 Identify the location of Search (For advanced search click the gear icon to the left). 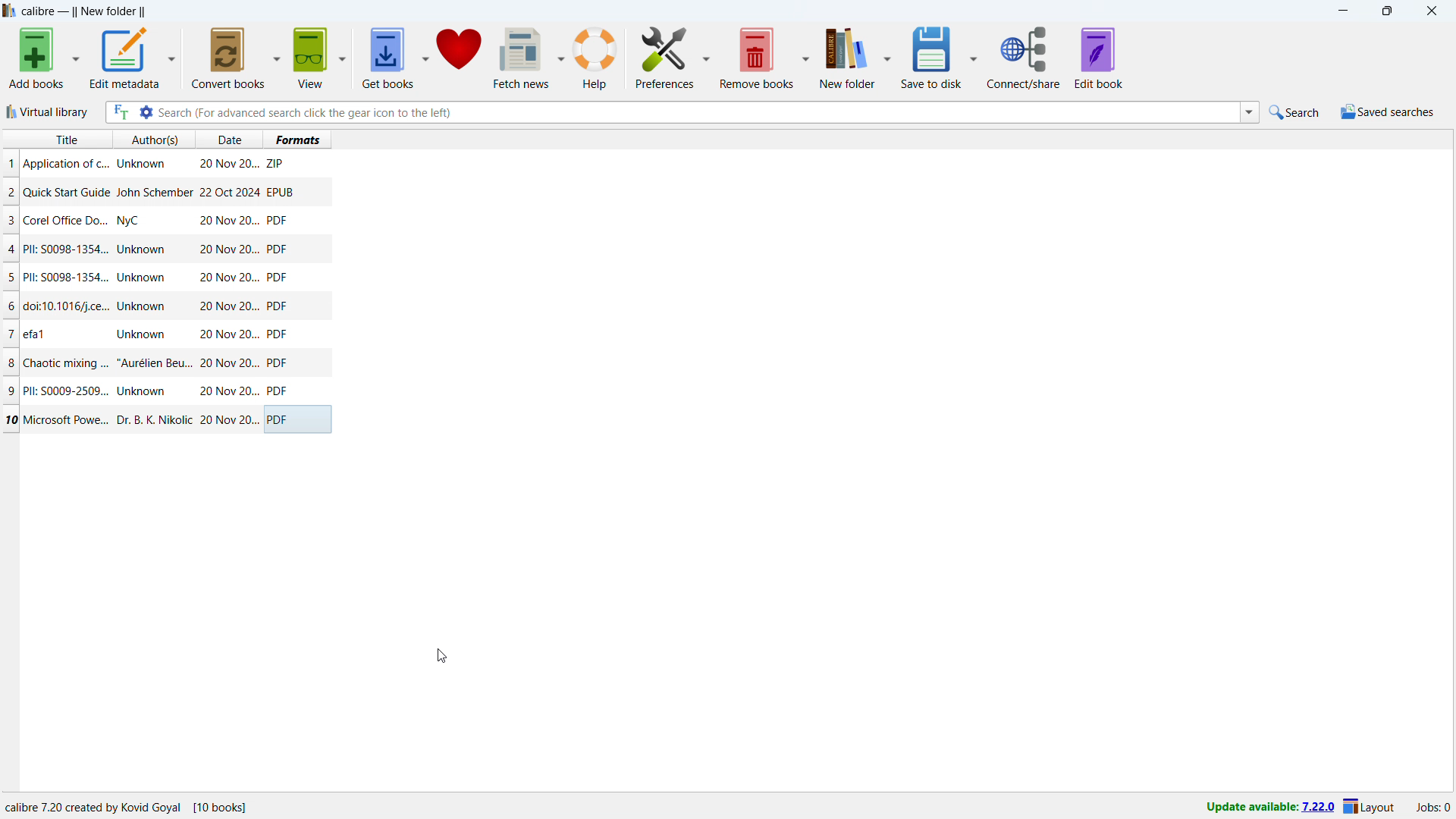
(696, 111).